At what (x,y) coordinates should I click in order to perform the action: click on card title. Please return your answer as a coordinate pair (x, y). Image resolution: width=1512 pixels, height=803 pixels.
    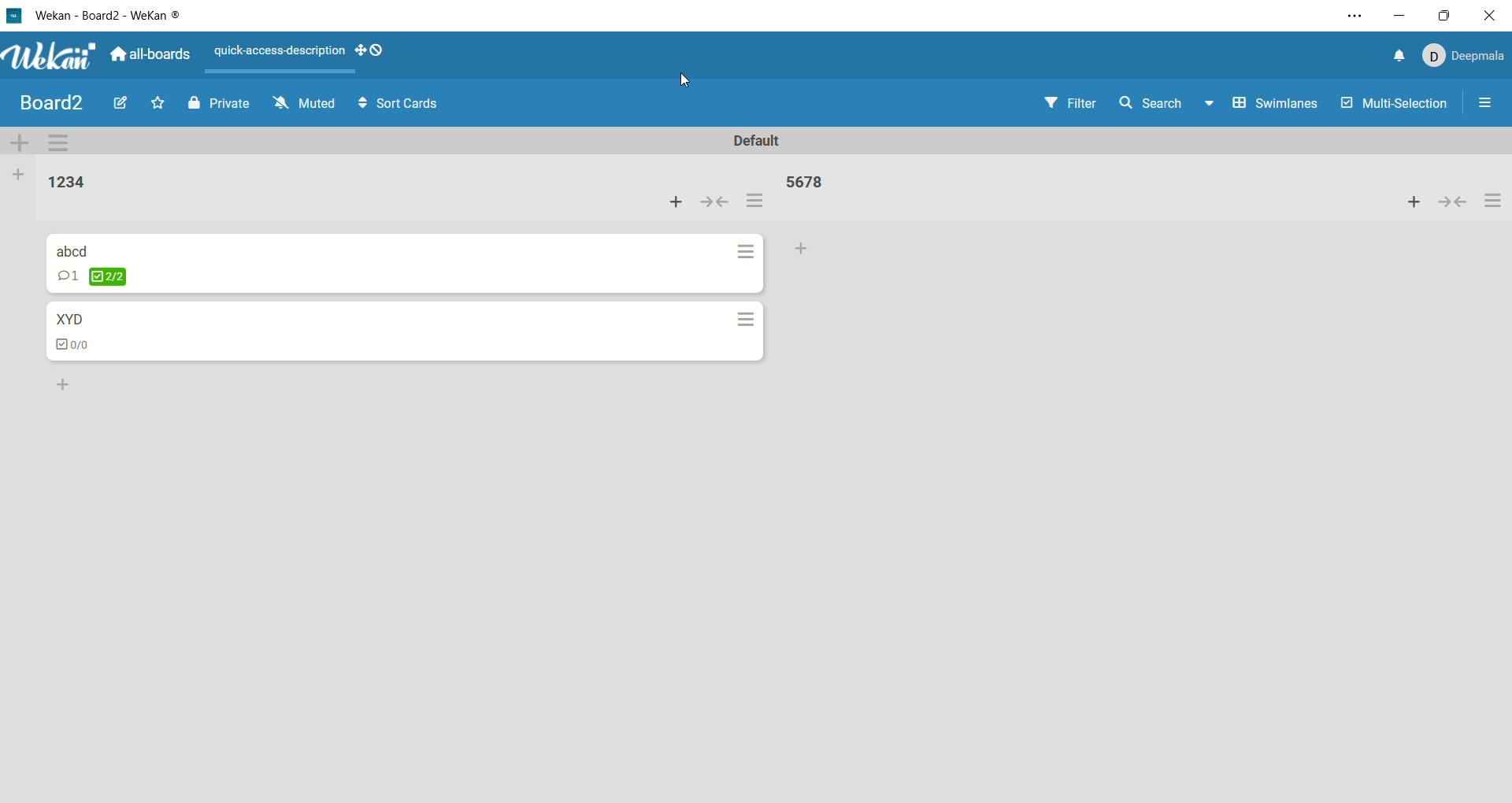
    Looking at the image, I should click on (69, 318).